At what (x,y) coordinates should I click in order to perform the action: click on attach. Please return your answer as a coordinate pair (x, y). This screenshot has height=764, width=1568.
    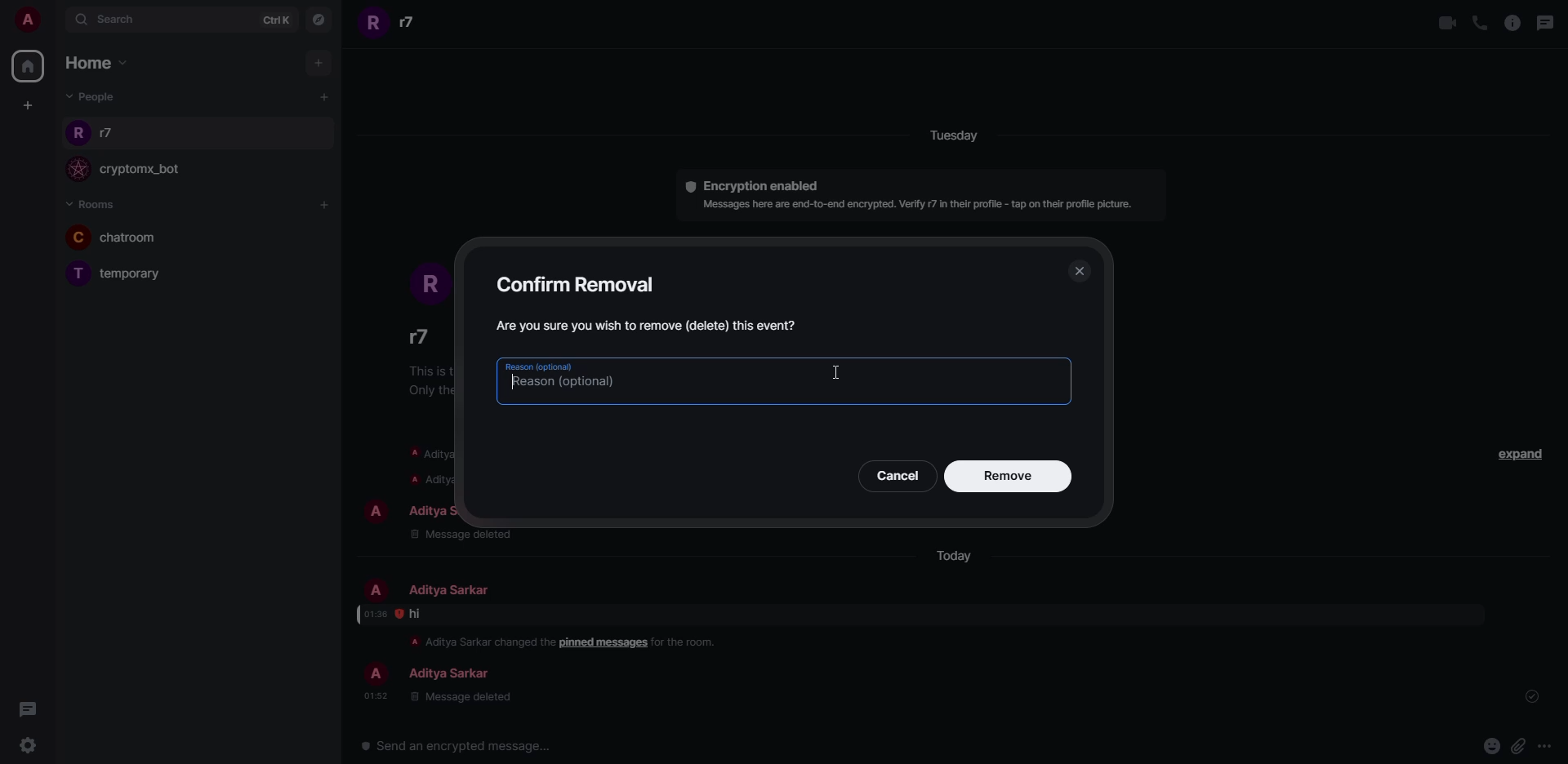
    Looking at the image, I should click on (1517, 747).